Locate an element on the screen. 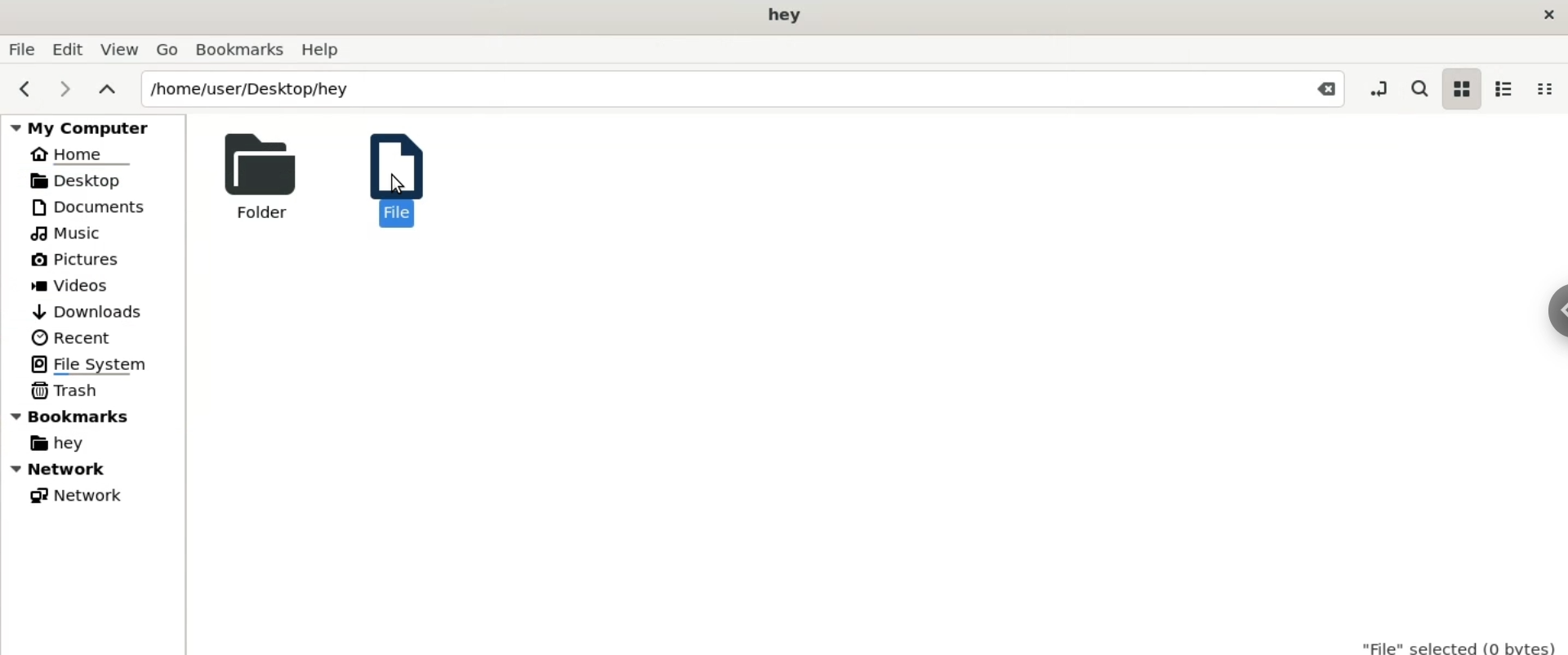  hey is located at coordinates (56, 445).